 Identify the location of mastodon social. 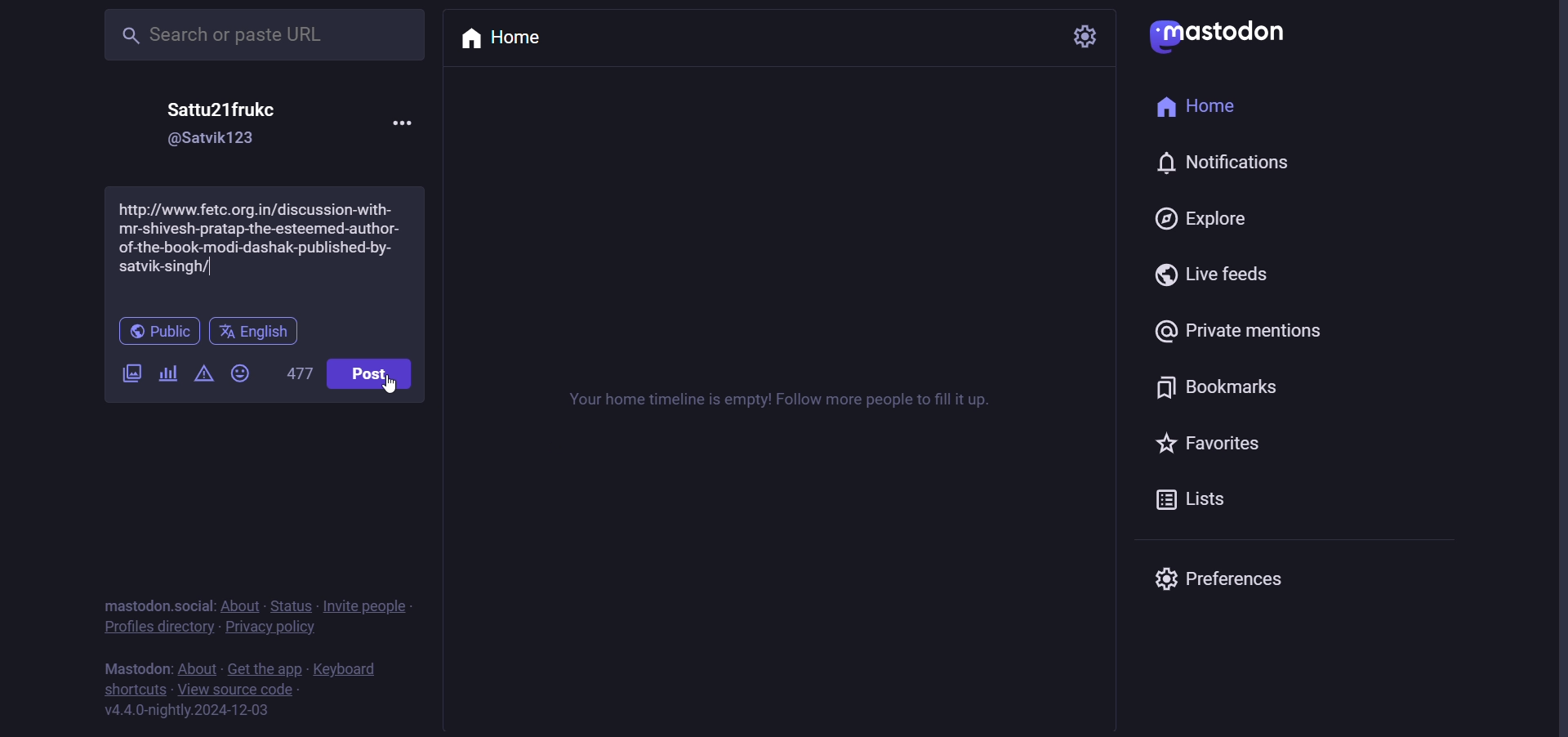
(152, 603).